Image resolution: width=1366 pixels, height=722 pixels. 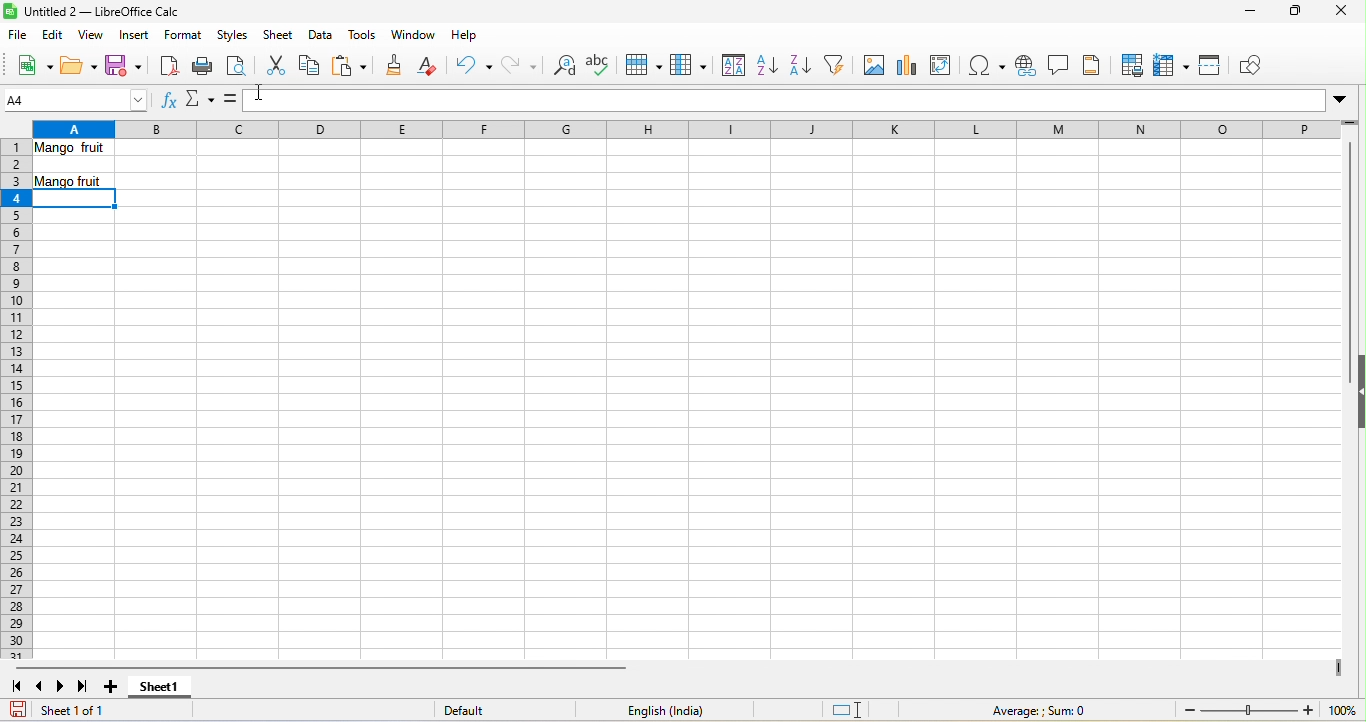 What do you see at coordinates (41, 685) in the screenshot?
I see `scroll to previous sheet` at bounding box center [41, 685].